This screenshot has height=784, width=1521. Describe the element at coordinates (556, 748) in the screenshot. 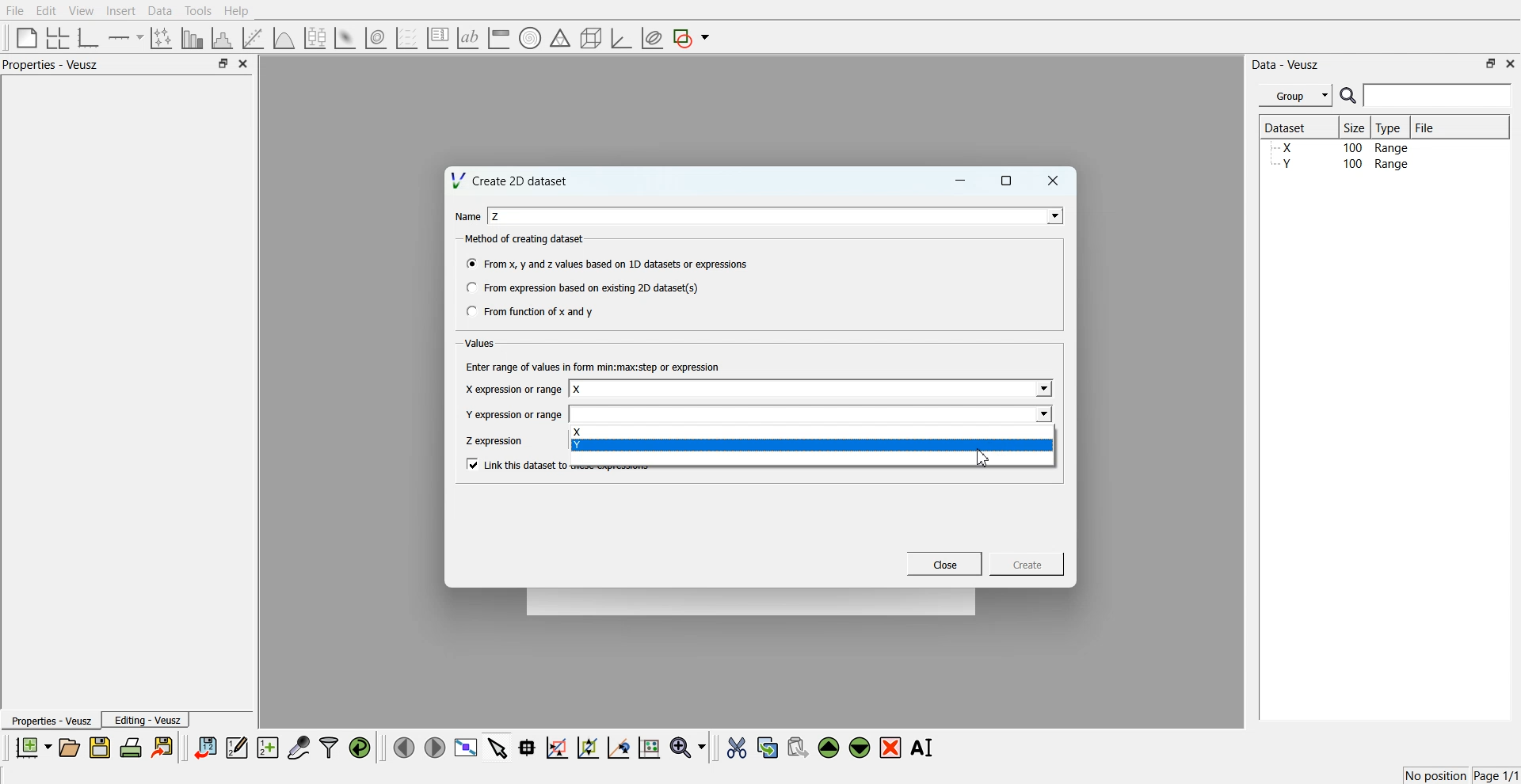

I see `Draw a rectangle to zoom graph axes` at that location.